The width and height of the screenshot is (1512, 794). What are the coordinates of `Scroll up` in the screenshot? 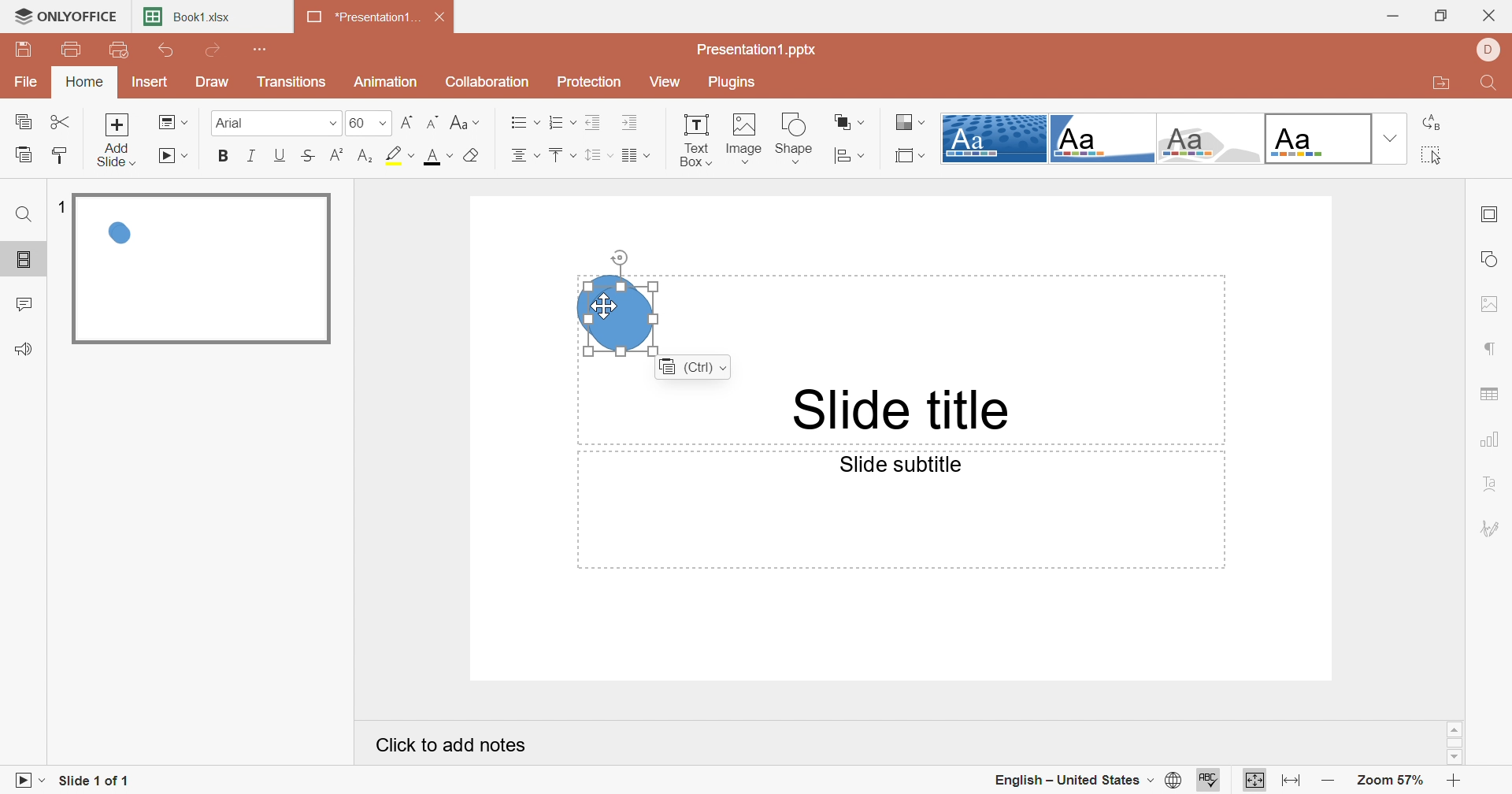 It's located at (1455, 729).